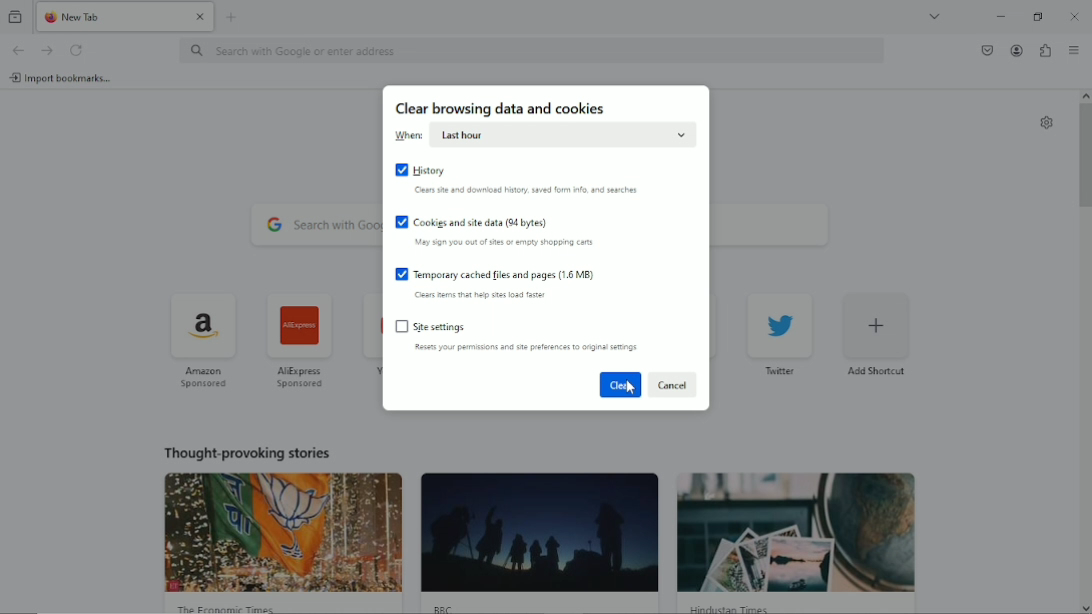 Image resolution: width=1092 pixels, height=614 pixels. I want to click on List all tabs, so click(935, 15).